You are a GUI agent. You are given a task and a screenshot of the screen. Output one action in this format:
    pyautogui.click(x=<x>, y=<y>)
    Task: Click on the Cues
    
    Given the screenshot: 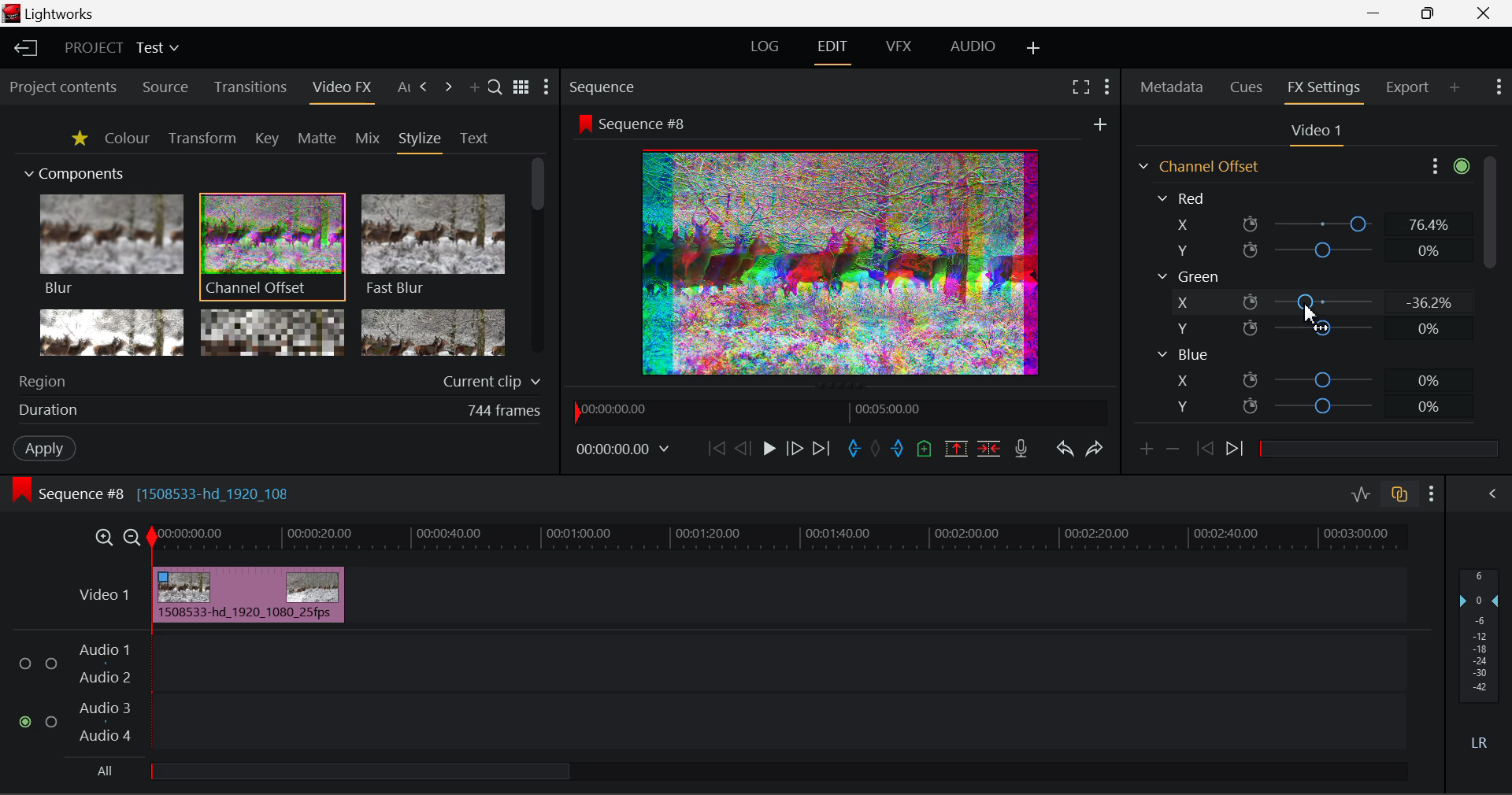 What is the action you would take?
    pyautogui.click(x=1246, y=87)
    